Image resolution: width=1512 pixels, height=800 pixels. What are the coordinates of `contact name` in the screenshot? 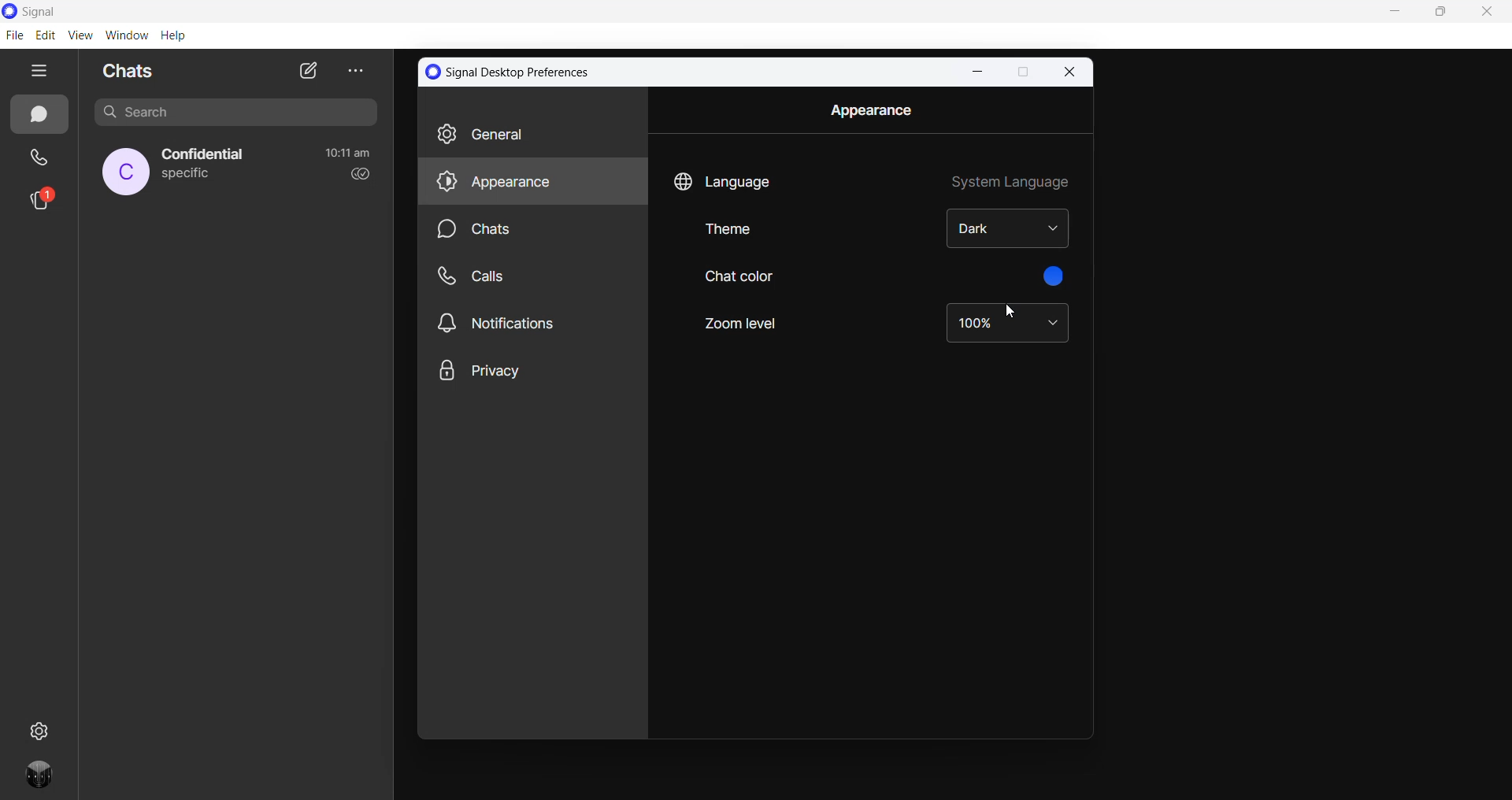 It's located at (206, 155).